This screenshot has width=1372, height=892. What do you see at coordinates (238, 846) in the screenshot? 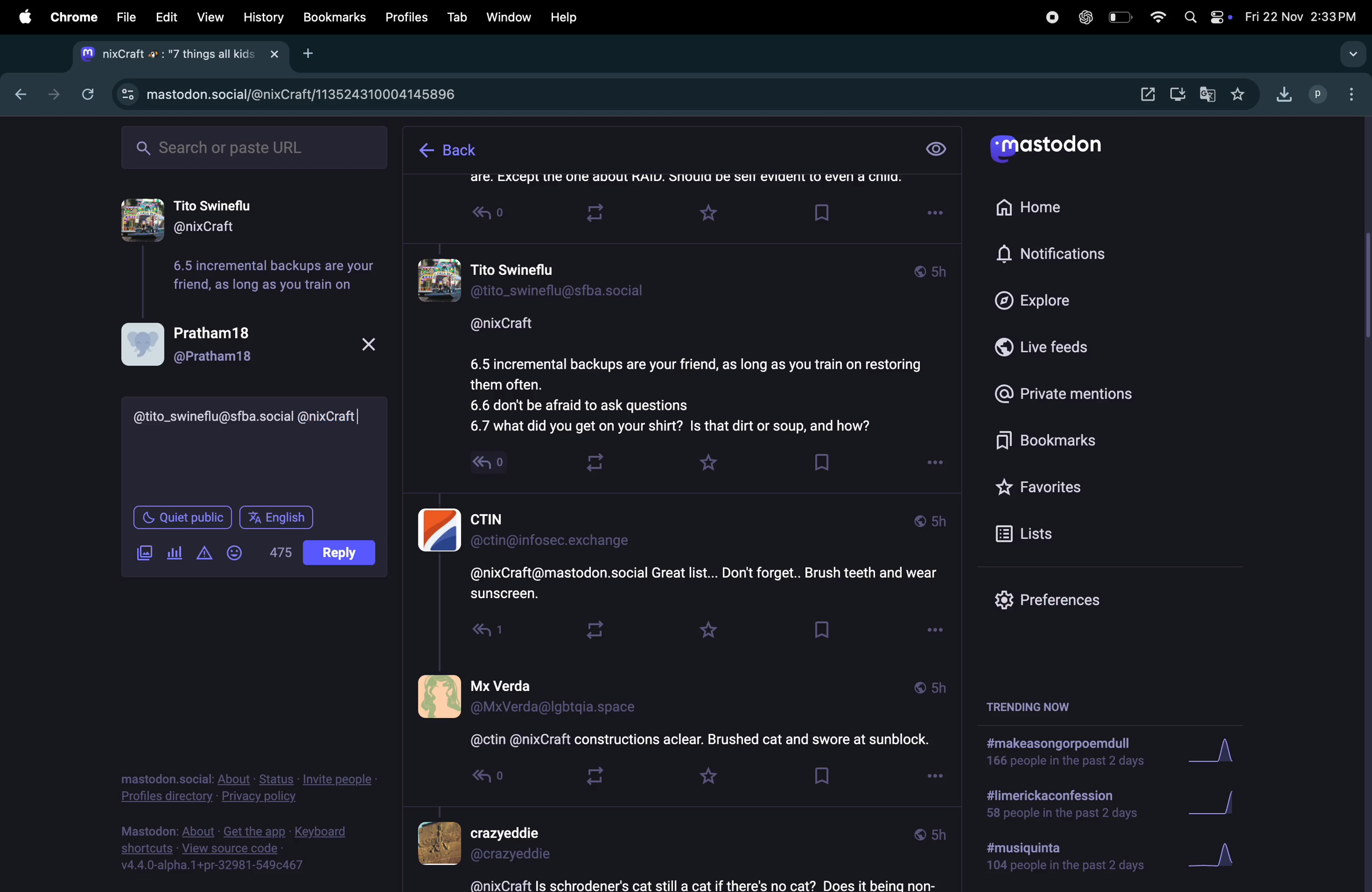
I see `Mastodon: About - Get the app - Keyboard
shortcuts - View source code -
v4.4.0-alpha.1+pr-32981-549¢c467` at bounding box center [238, 846].